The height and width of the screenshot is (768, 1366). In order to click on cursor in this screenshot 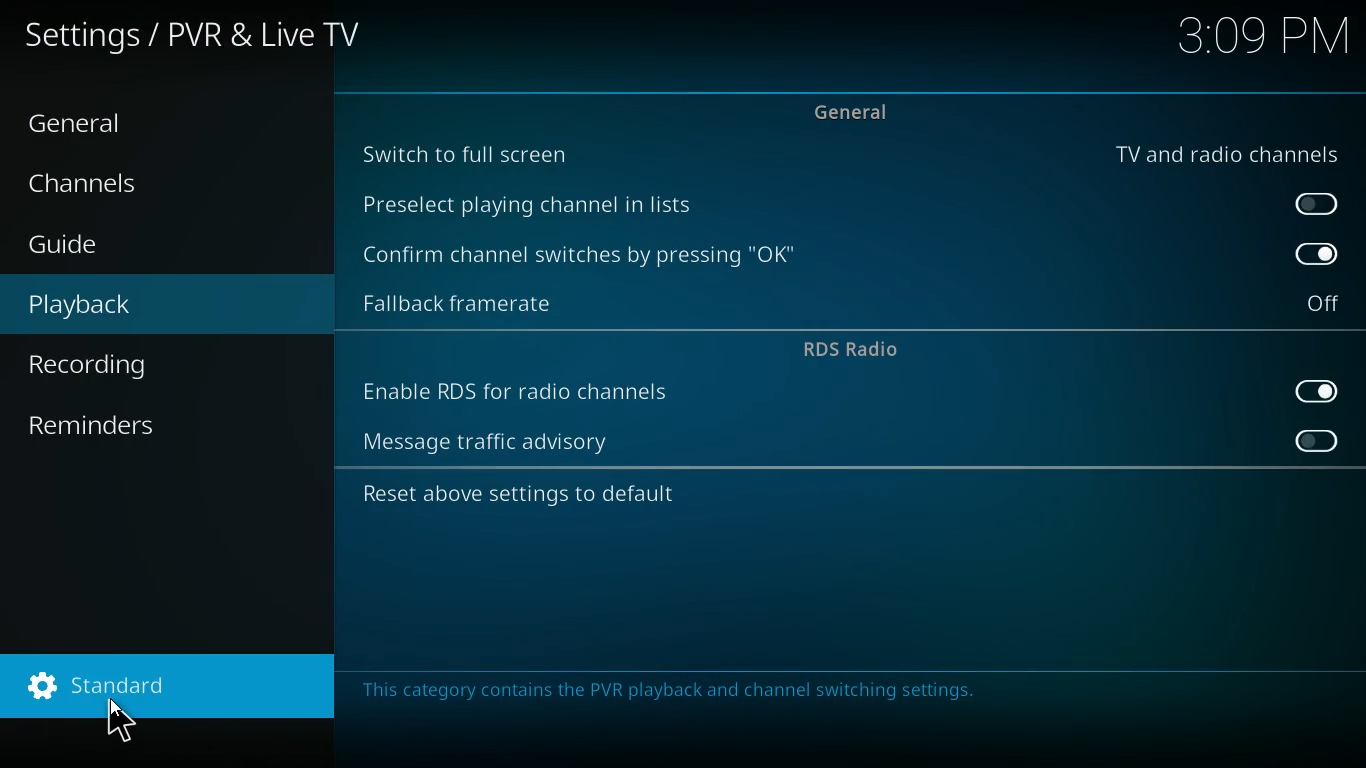, I will do `click(132, 719)`.